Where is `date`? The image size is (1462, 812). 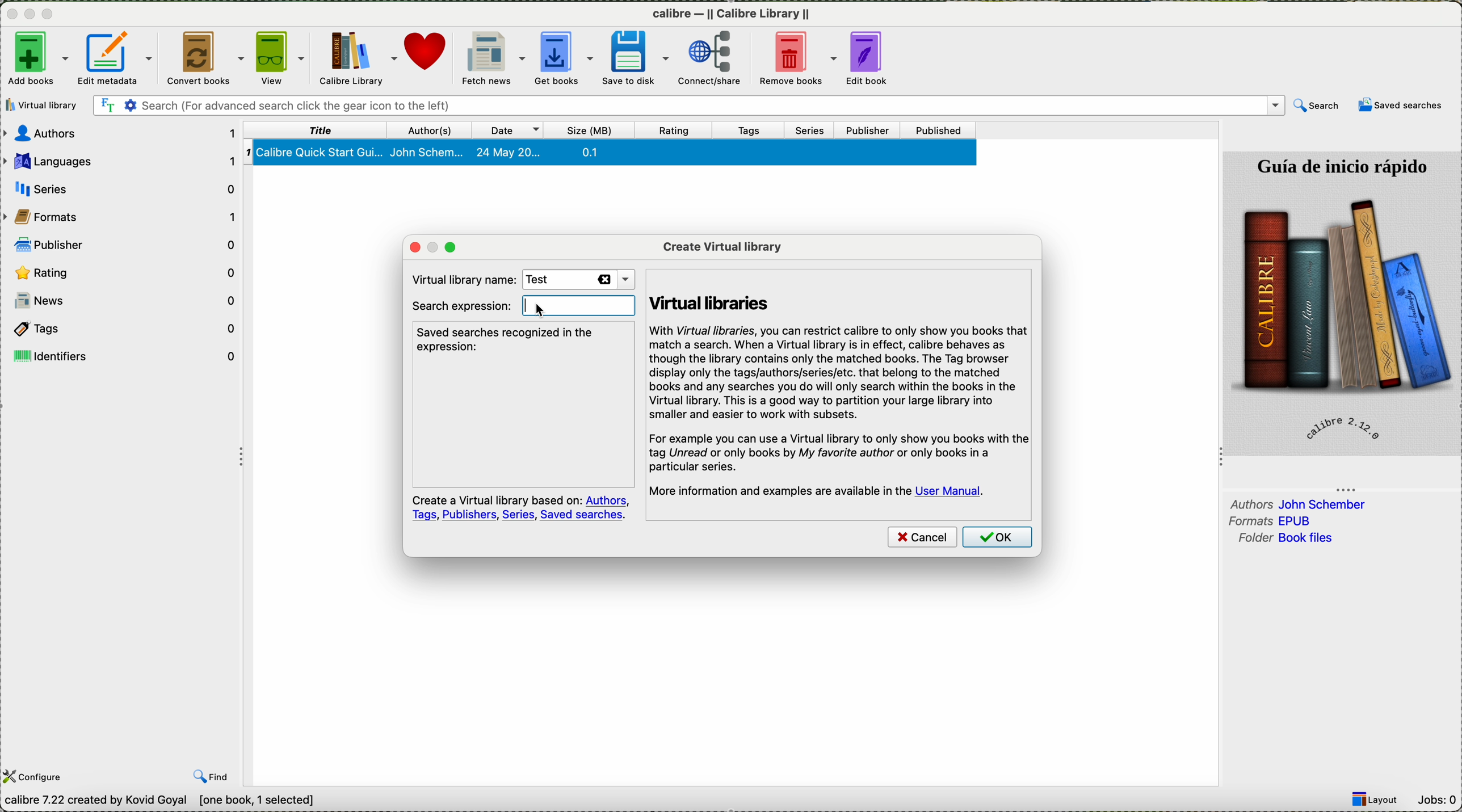
date is located at coordinates (514, 129).